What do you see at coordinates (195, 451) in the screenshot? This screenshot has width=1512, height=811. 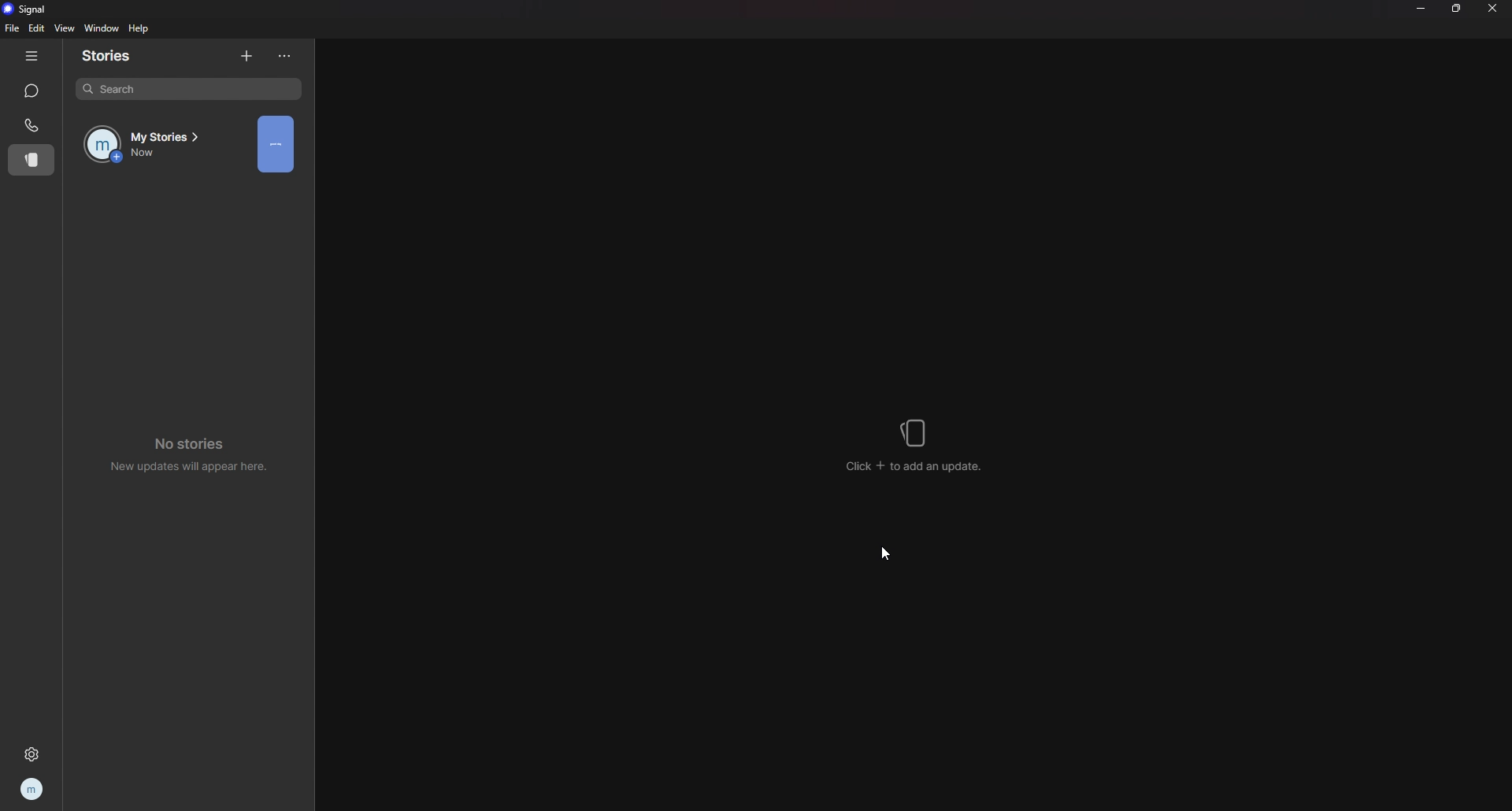 I see `no stories new updates will appear here` at bounding box center [195, 451].